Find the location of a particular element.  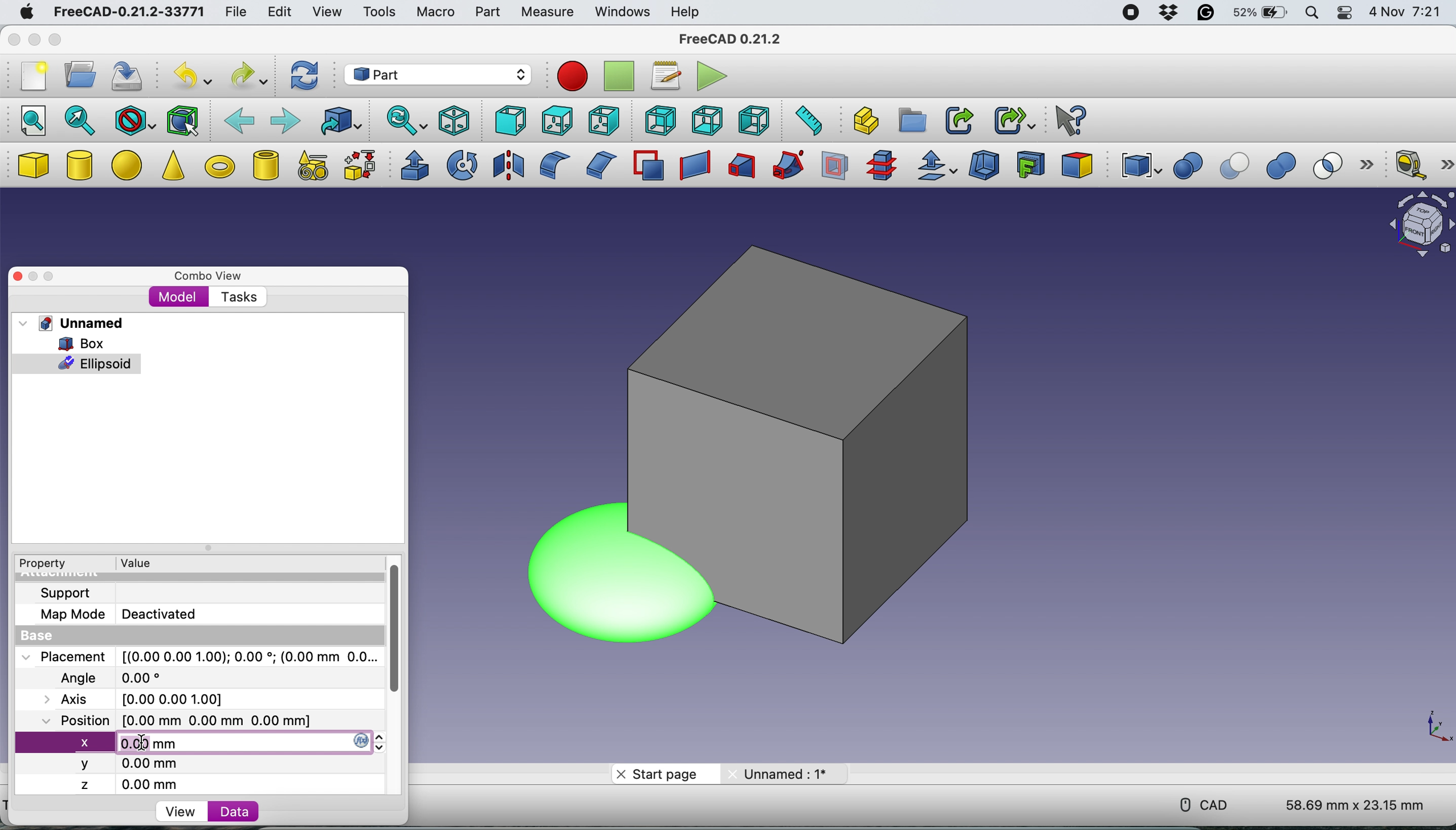

make face from wires is located at coordinates (648, 165).